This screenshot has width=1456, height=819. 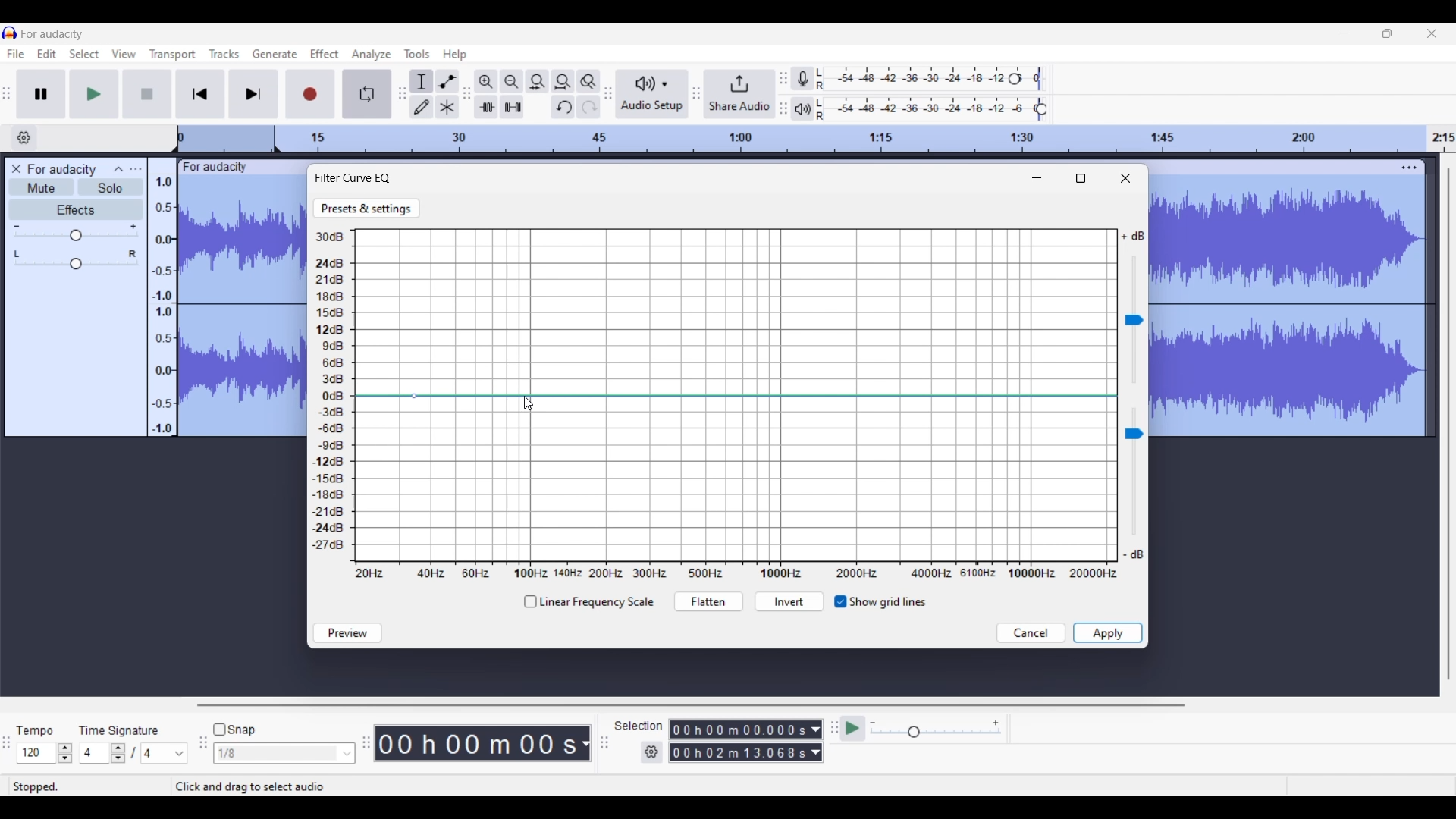 I want to click on Fit selection to width, so click(x=537, y=81).